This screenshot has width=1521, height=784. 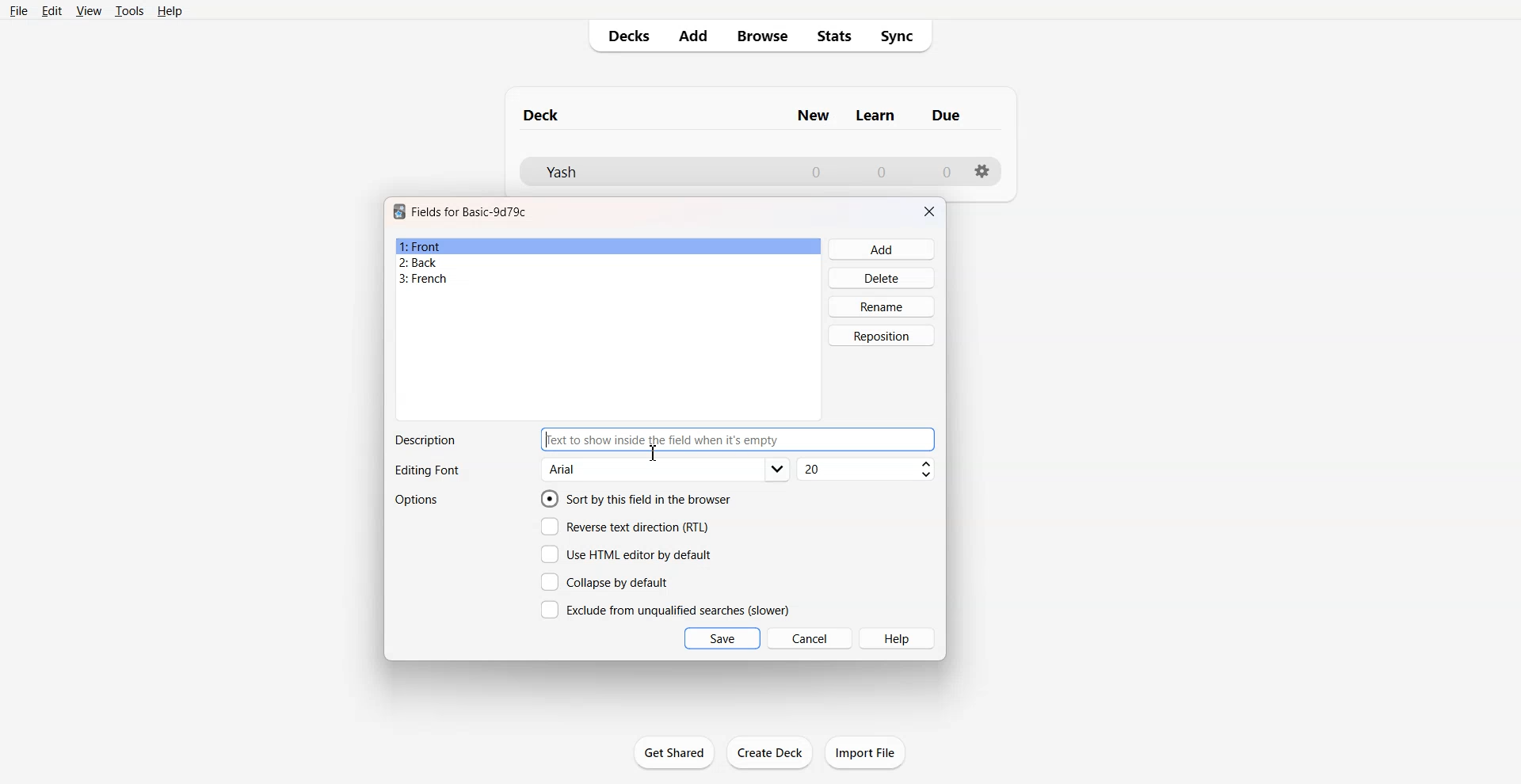 I want to click on View, so click(x=90, y=10).